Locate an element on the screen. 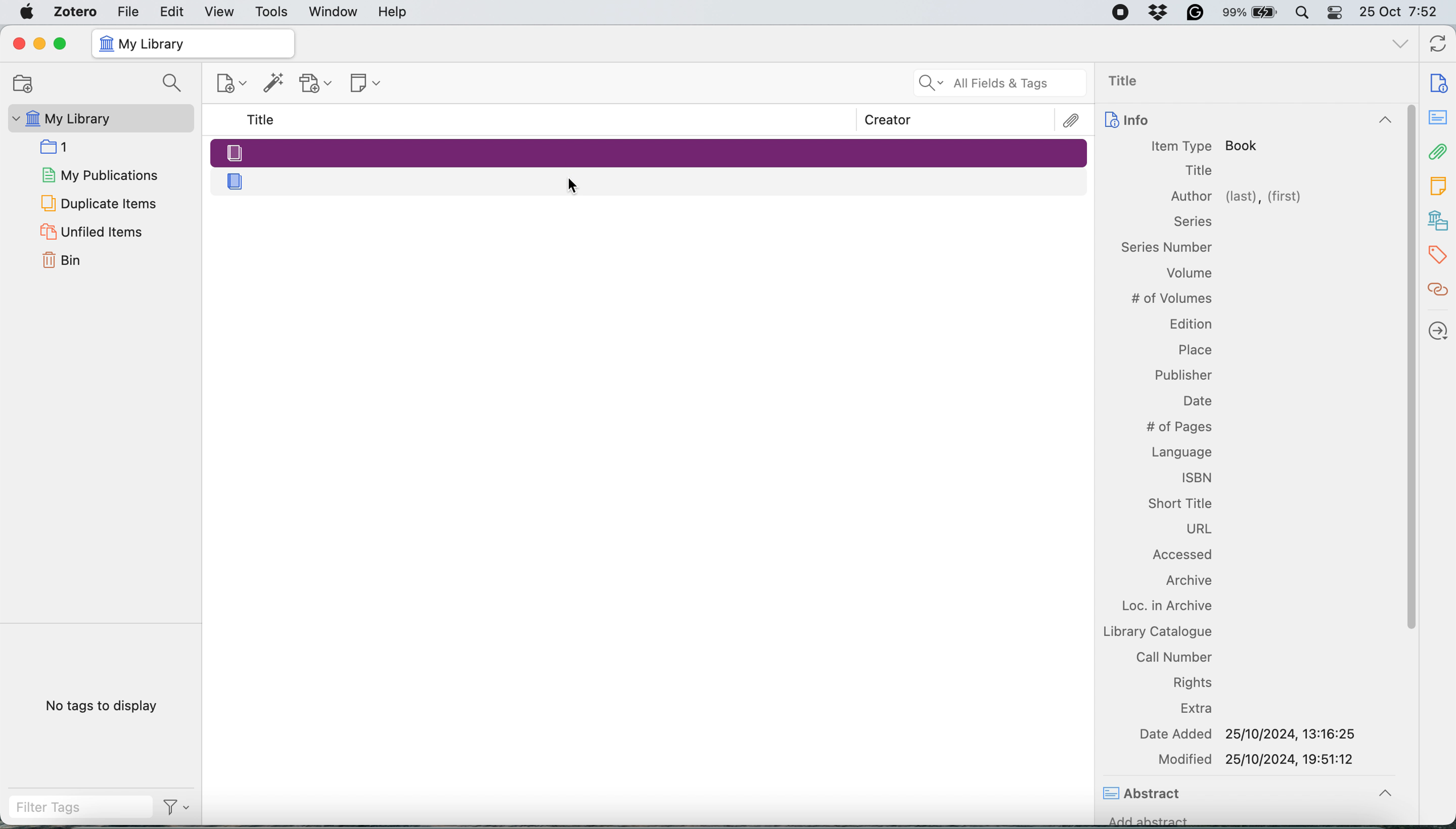 The height and width of the screenshot is (829, 1456). list all tabs is located at coordinates (1401, 46).